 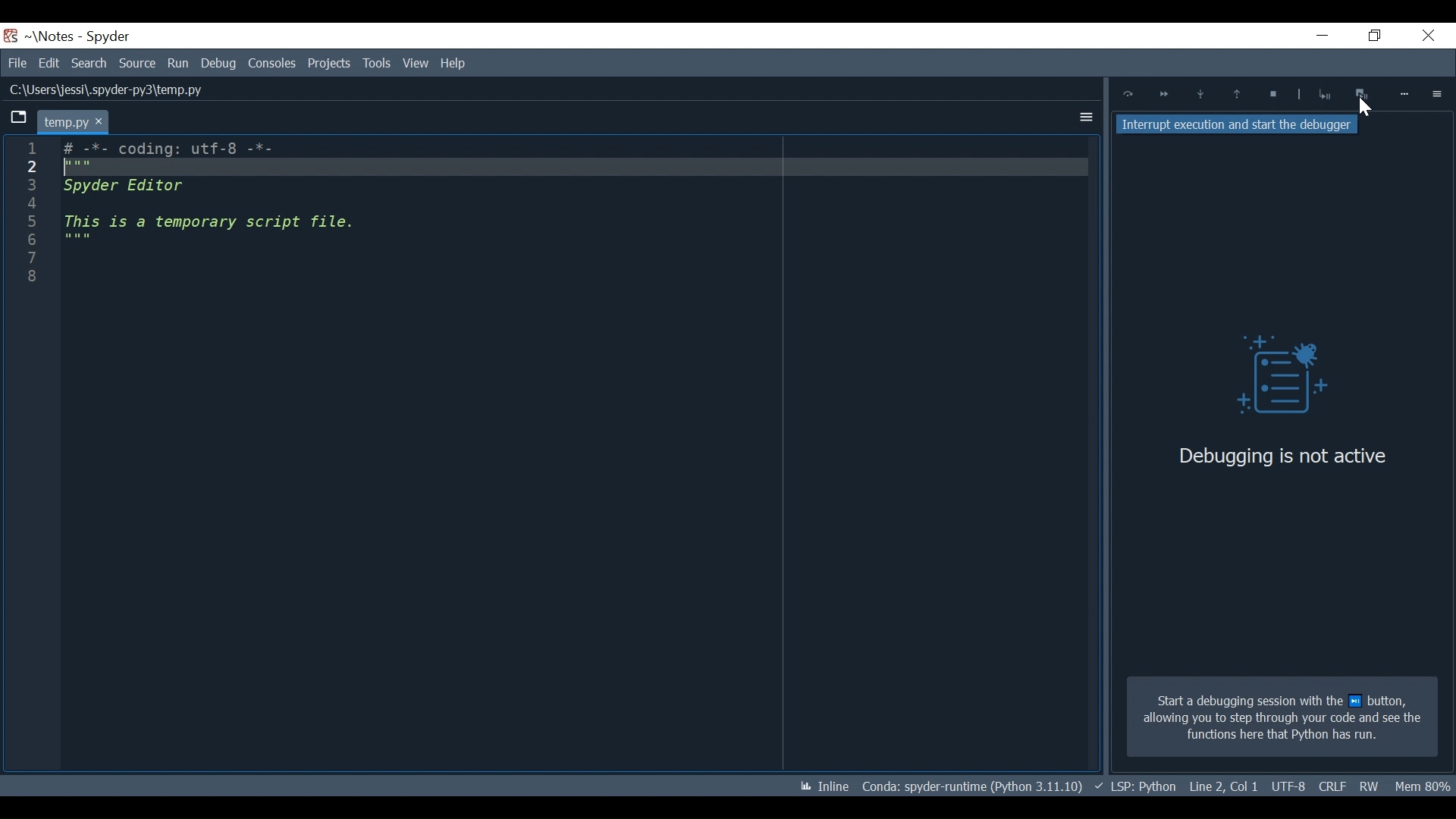 I want to click on Conda Environment Indicator, so click(x=971, y=786).